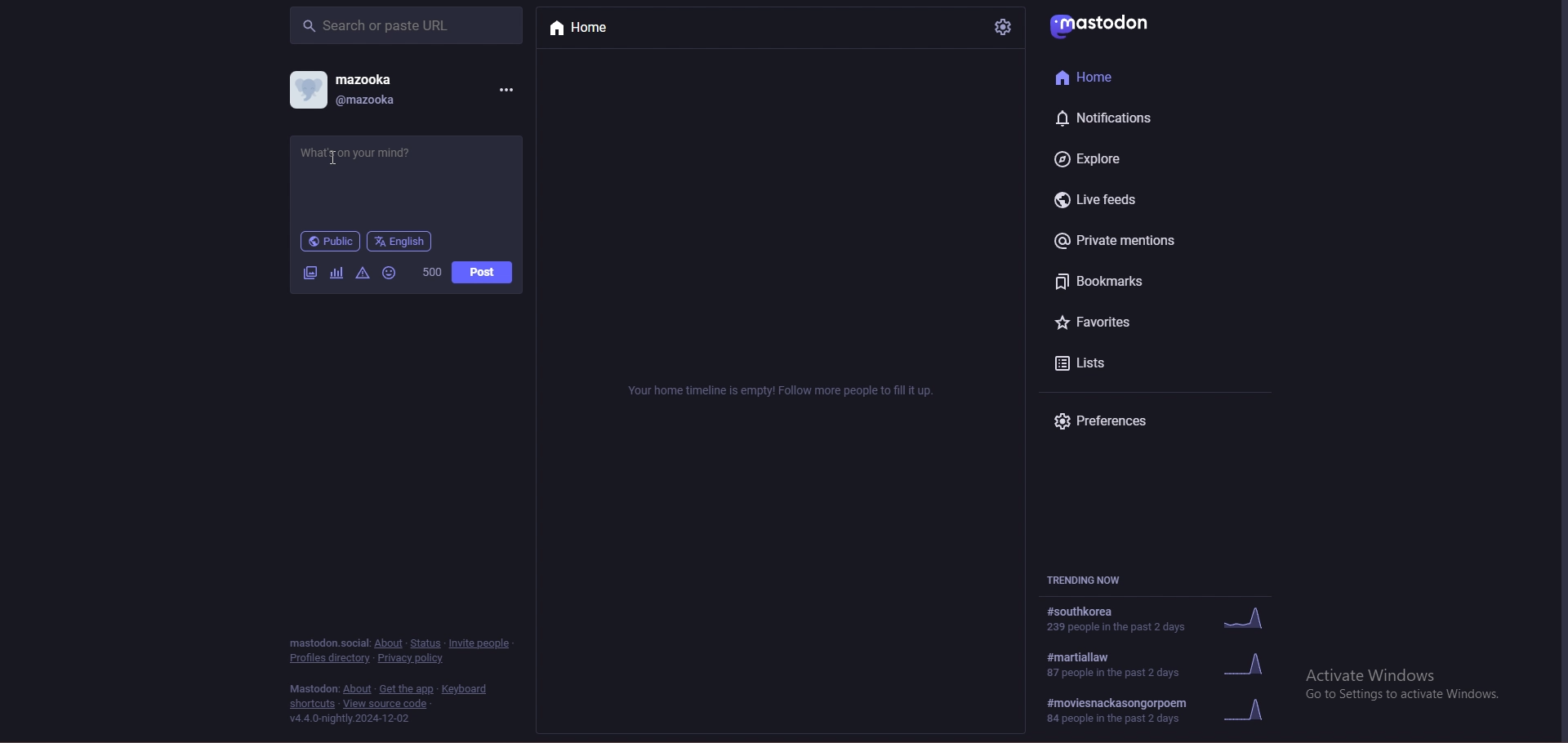 The image size is (1568, 743). I want to click on emoji, so click(389, 273).